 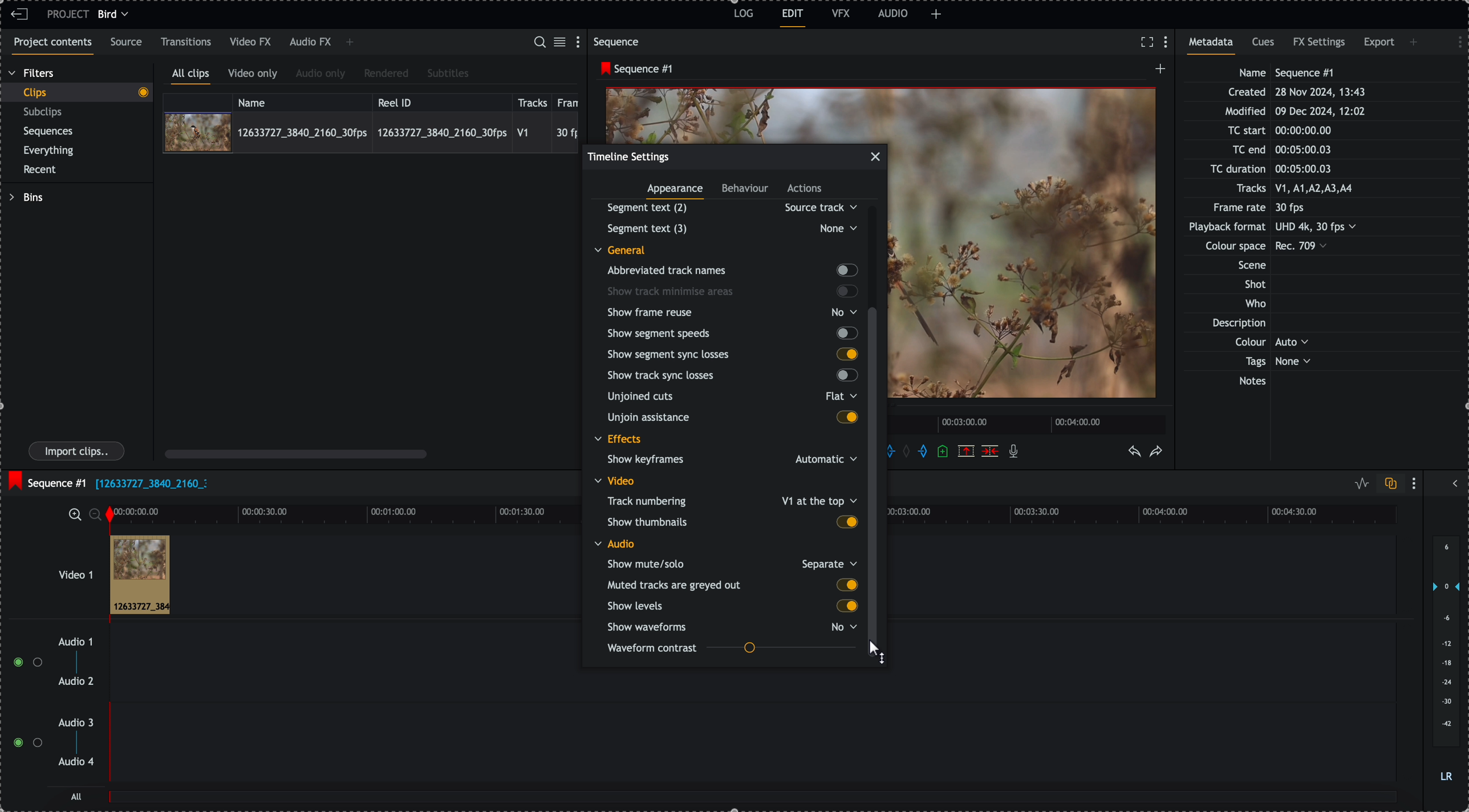 What do you see at coordinates (448, 74) in the screenshot?
I see `subtitles` at bounding box center [448, 74].